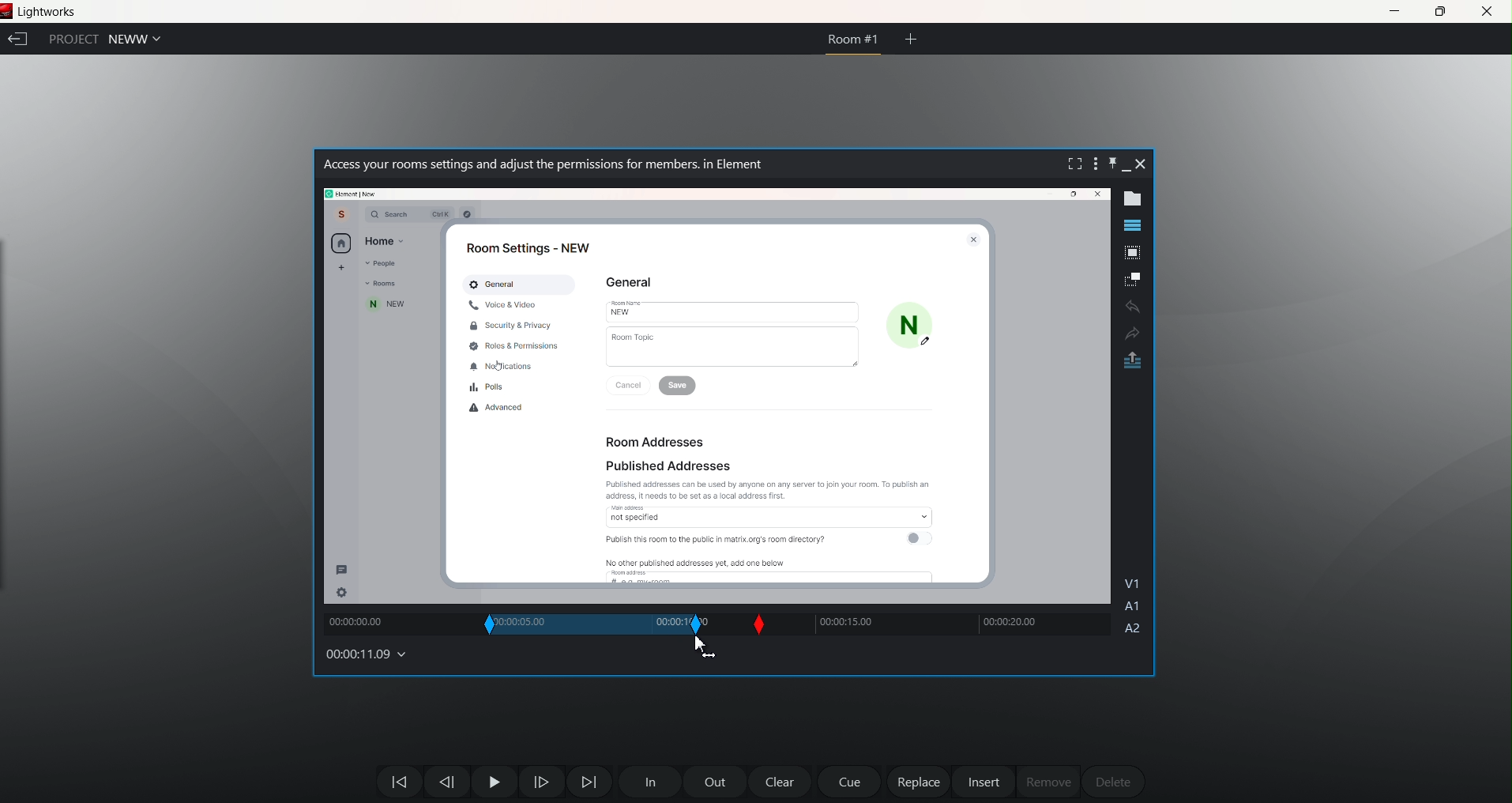 This screenshot has height=803, width=1512. Describe the element at coordinates (103, 40) in the screenshot. I see `Project NEWW` at that location.